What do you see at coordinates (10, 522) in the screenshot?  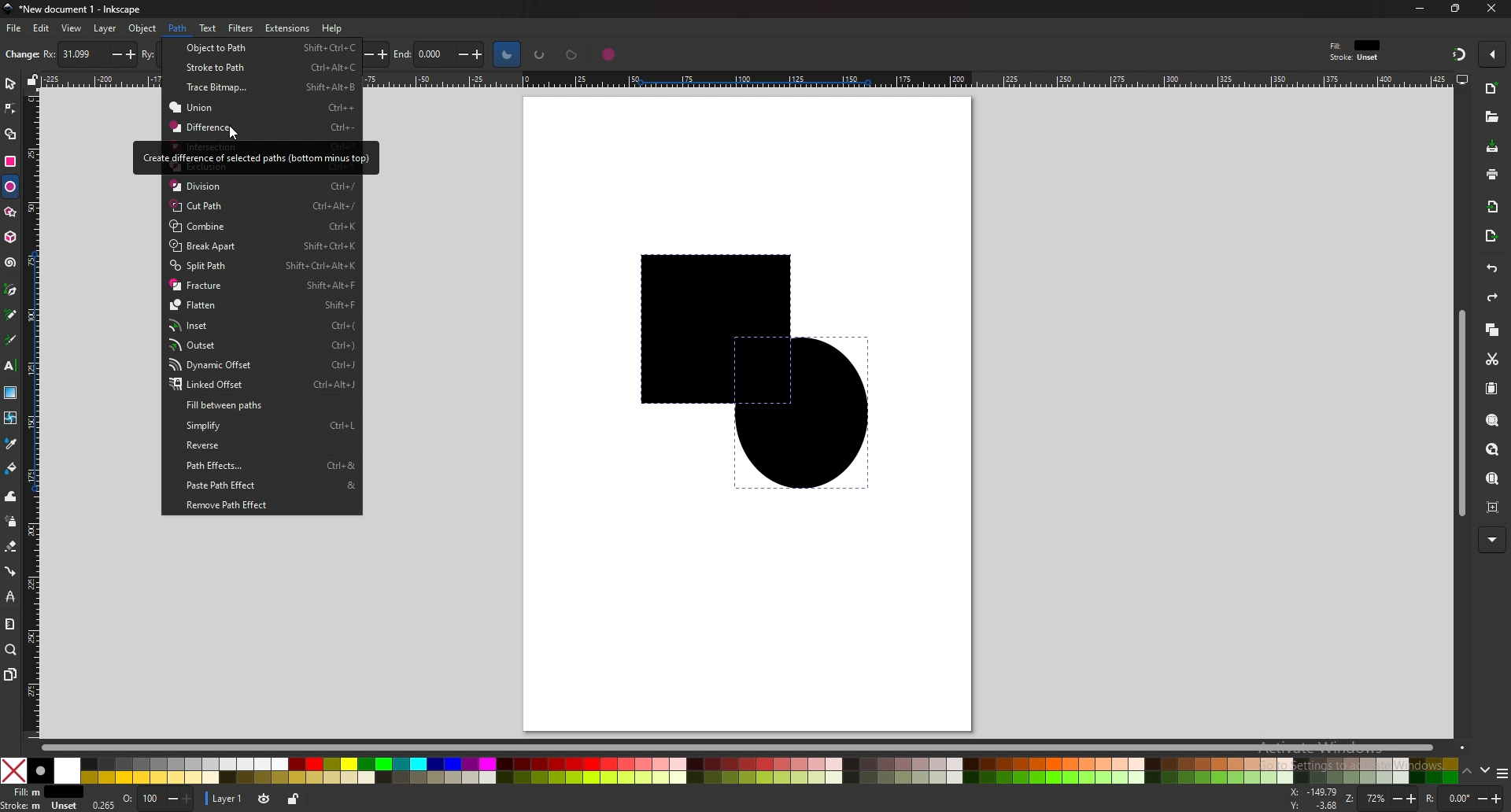 I see `spray` at bounding box center [10, 522].